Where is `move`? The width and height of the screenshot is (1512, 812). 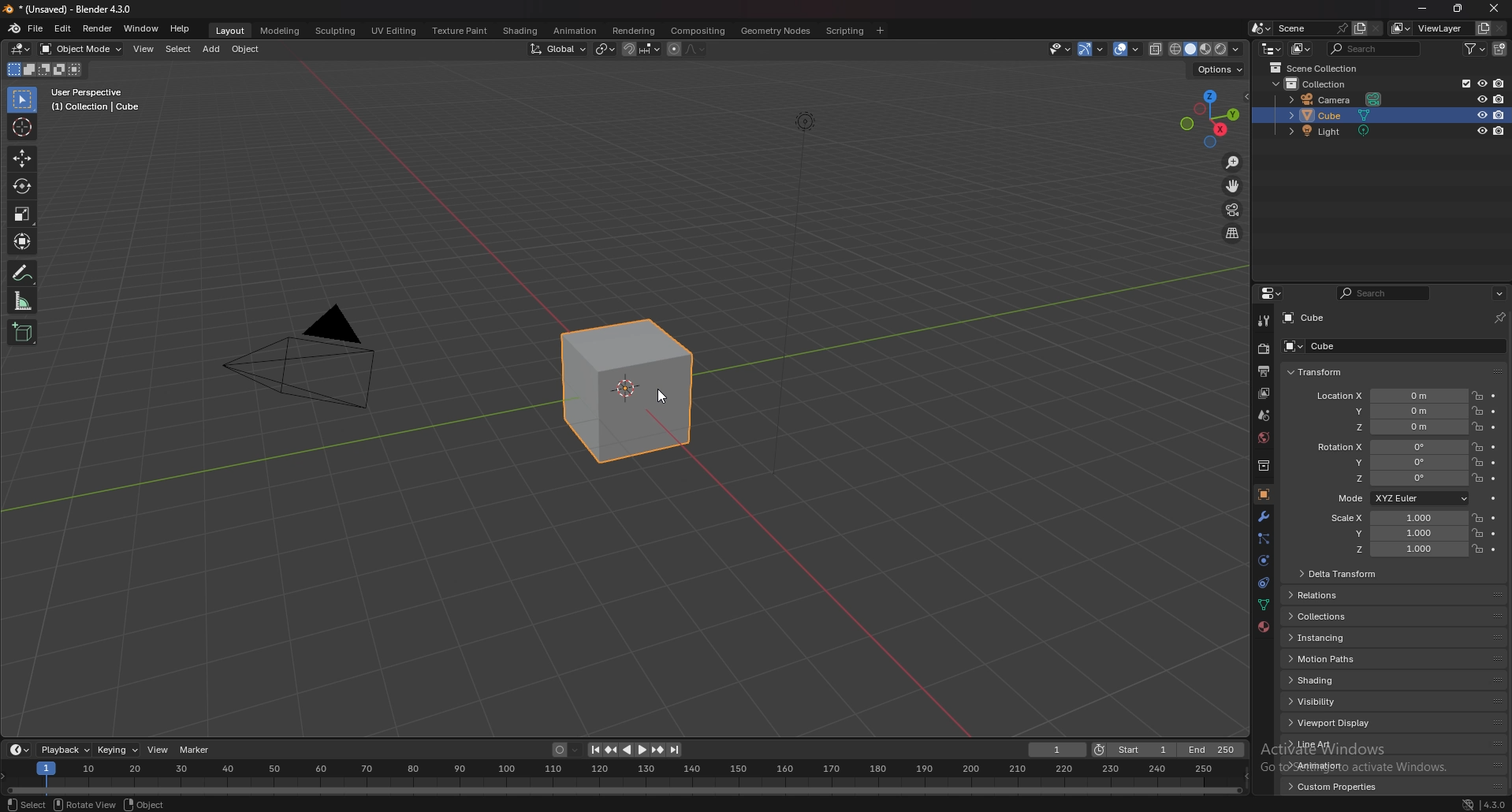 move is located at coordinates (1233, 186).